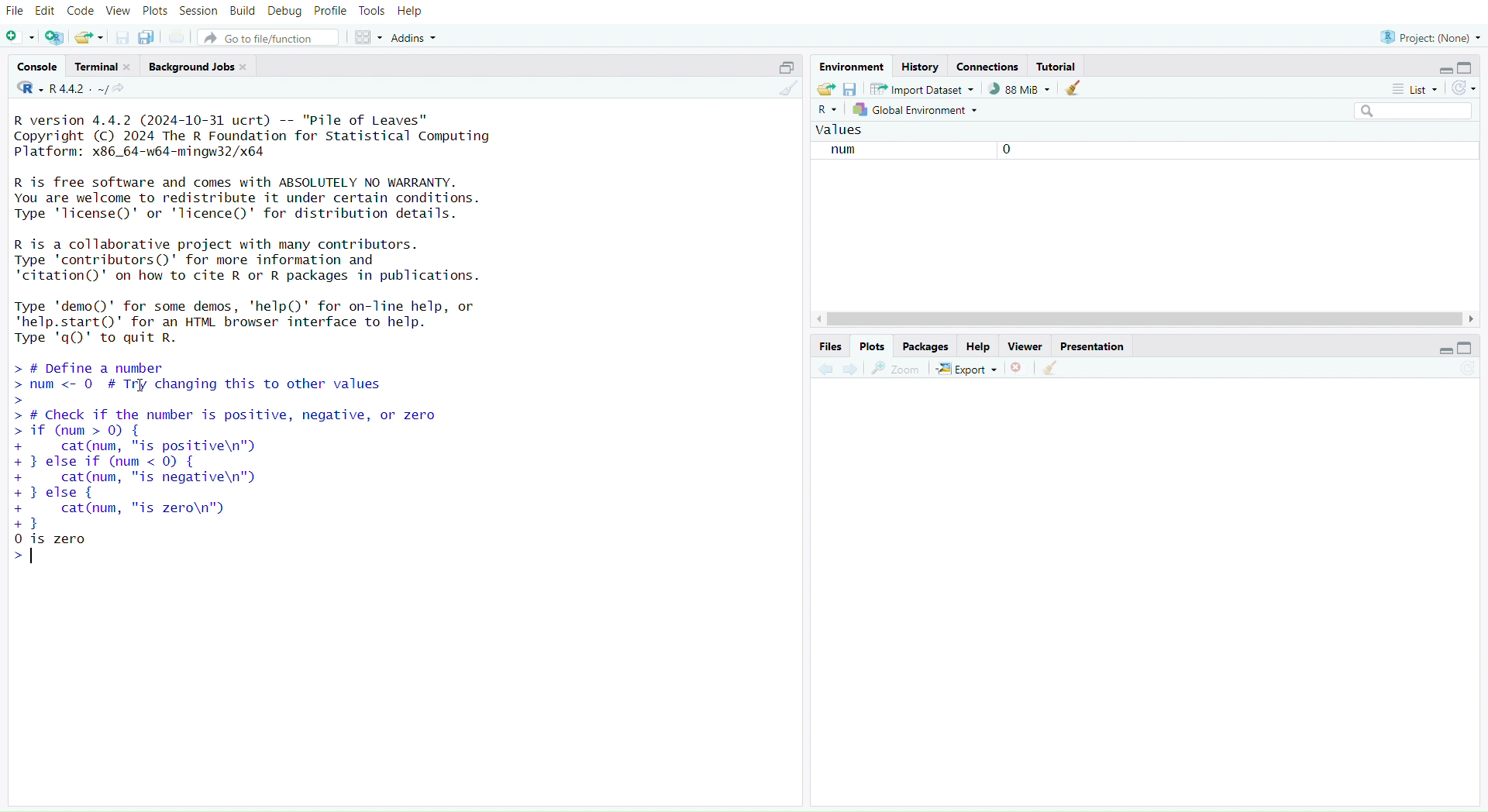  I want to click on environment, so click(854, 67).